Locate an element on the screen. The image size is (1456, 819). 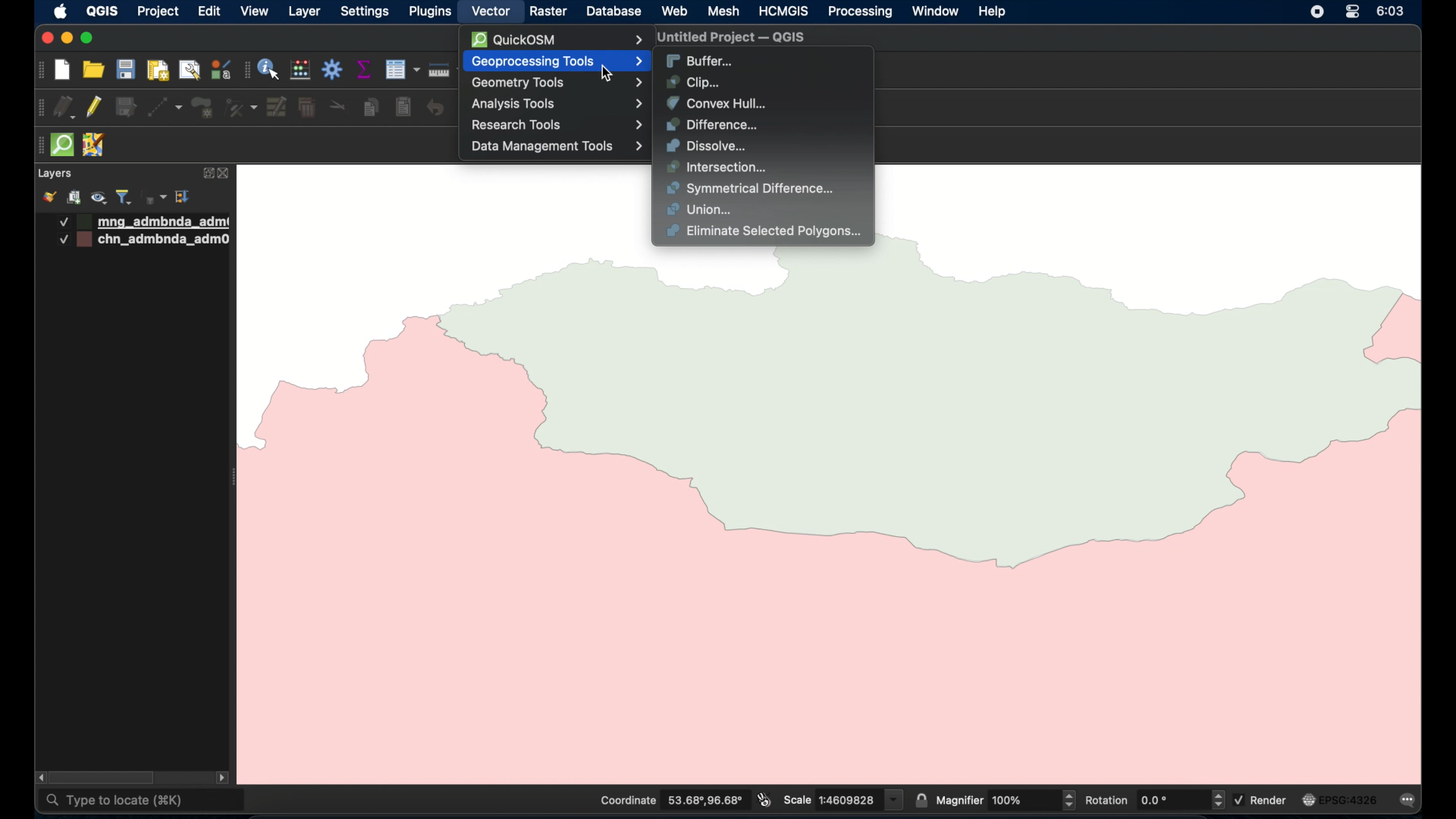
geometry tools is located at coordinates (559, 83).